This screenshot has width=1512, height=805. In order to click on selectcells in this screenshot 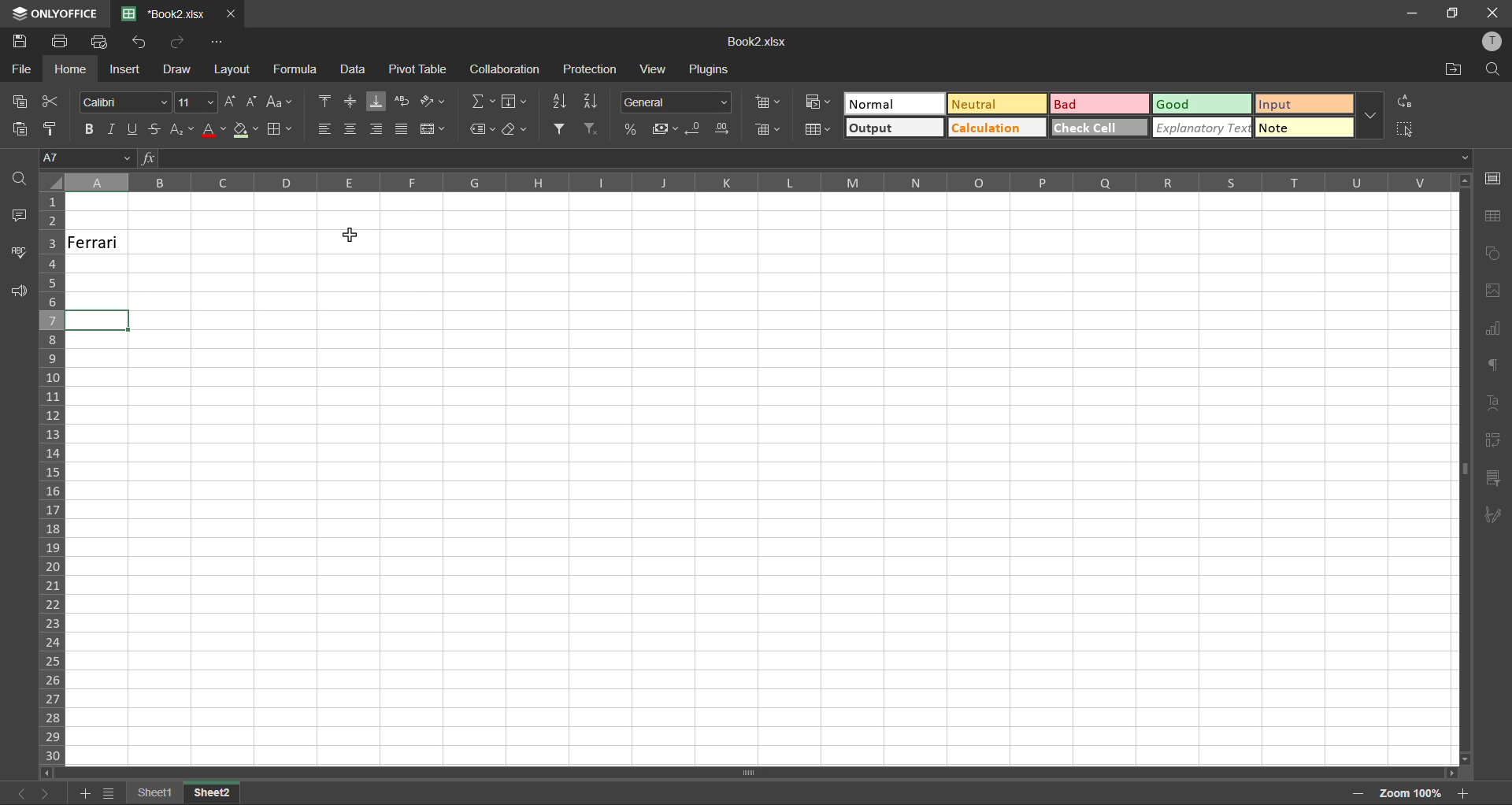, I will do `click(1404, 129)`.